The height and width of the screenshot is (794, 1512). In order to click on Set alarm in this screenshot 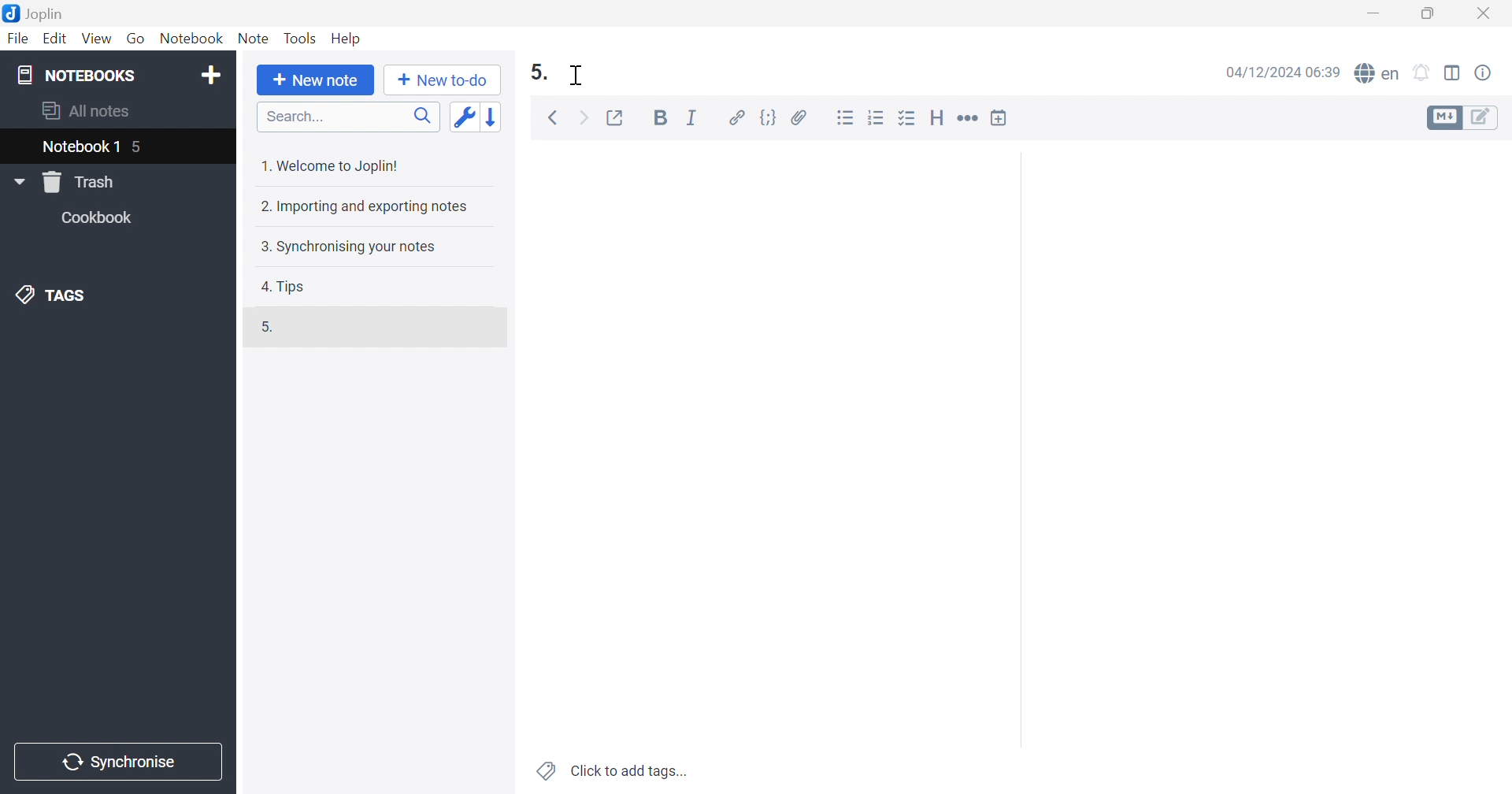, I will do `click(1425, 71)`.